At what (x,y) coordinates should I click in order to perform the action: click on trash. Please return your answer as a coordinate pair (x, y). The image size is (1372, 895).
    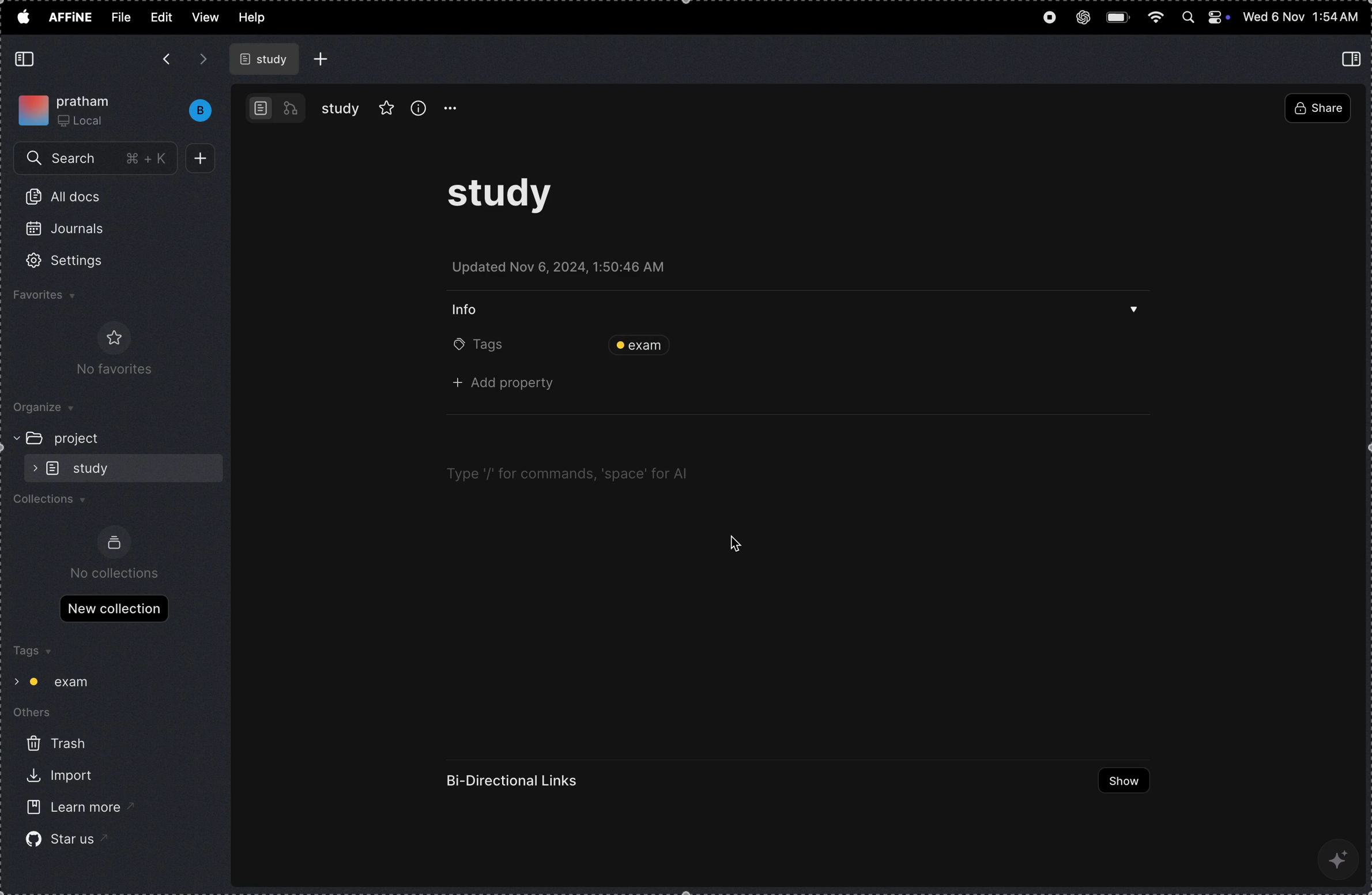
    Looking at the image, I should click on (55, 744).